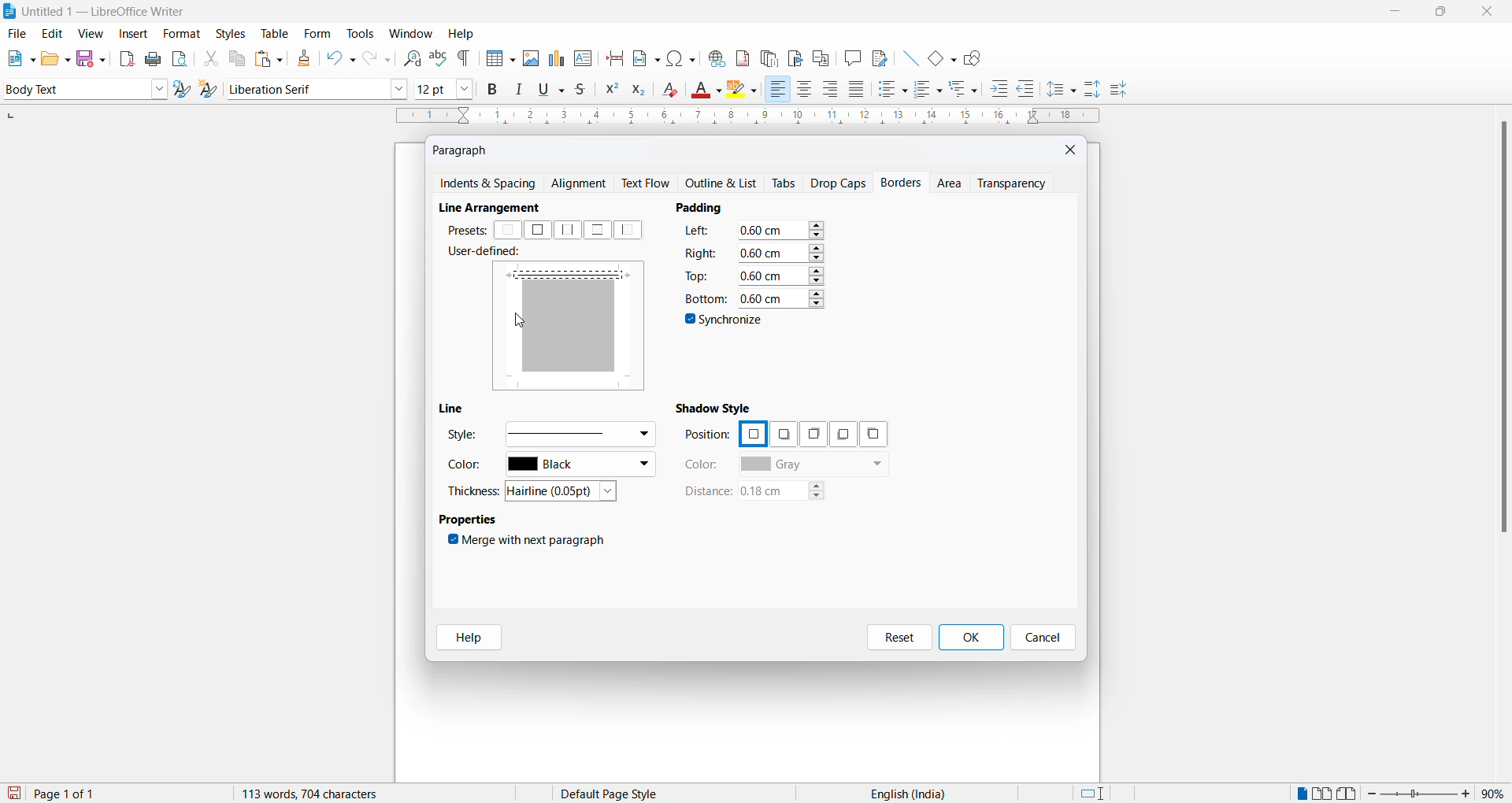 The height and width of the screenshot is (803, 1512). I want to click on show draw functions, so click(976, 57).